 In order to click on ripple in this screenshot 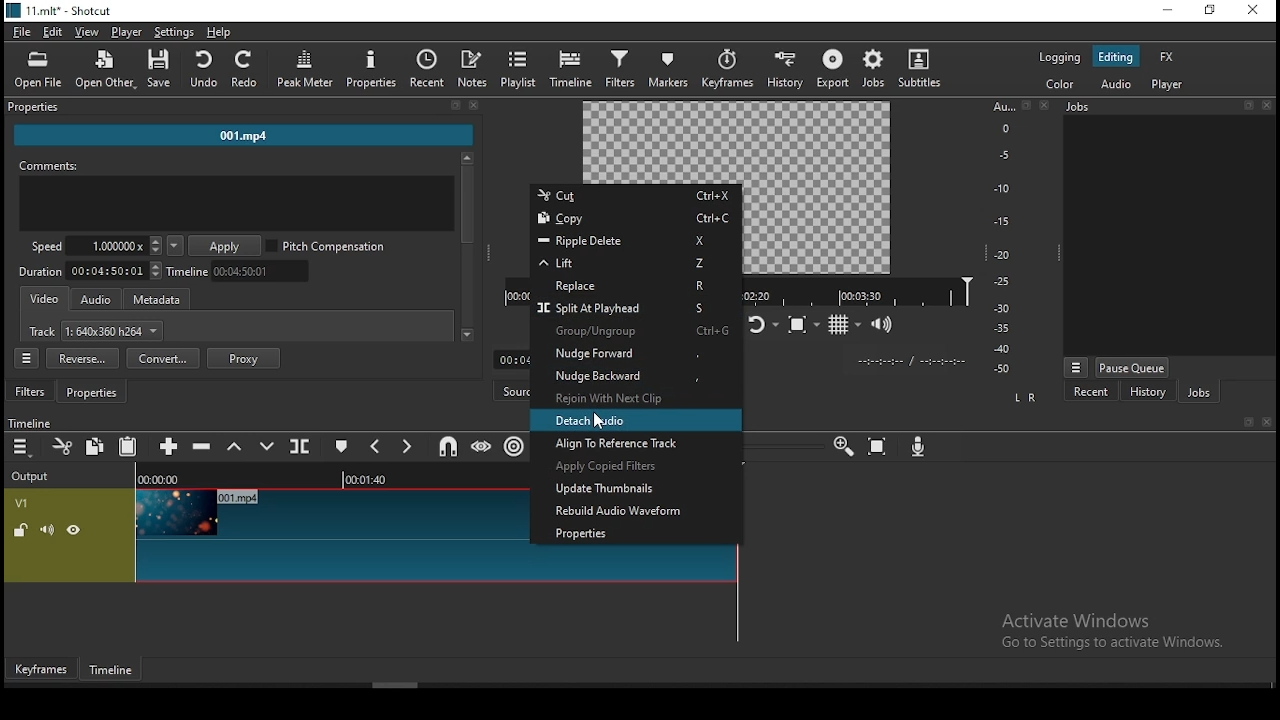, I will do `click(513, 445)`.